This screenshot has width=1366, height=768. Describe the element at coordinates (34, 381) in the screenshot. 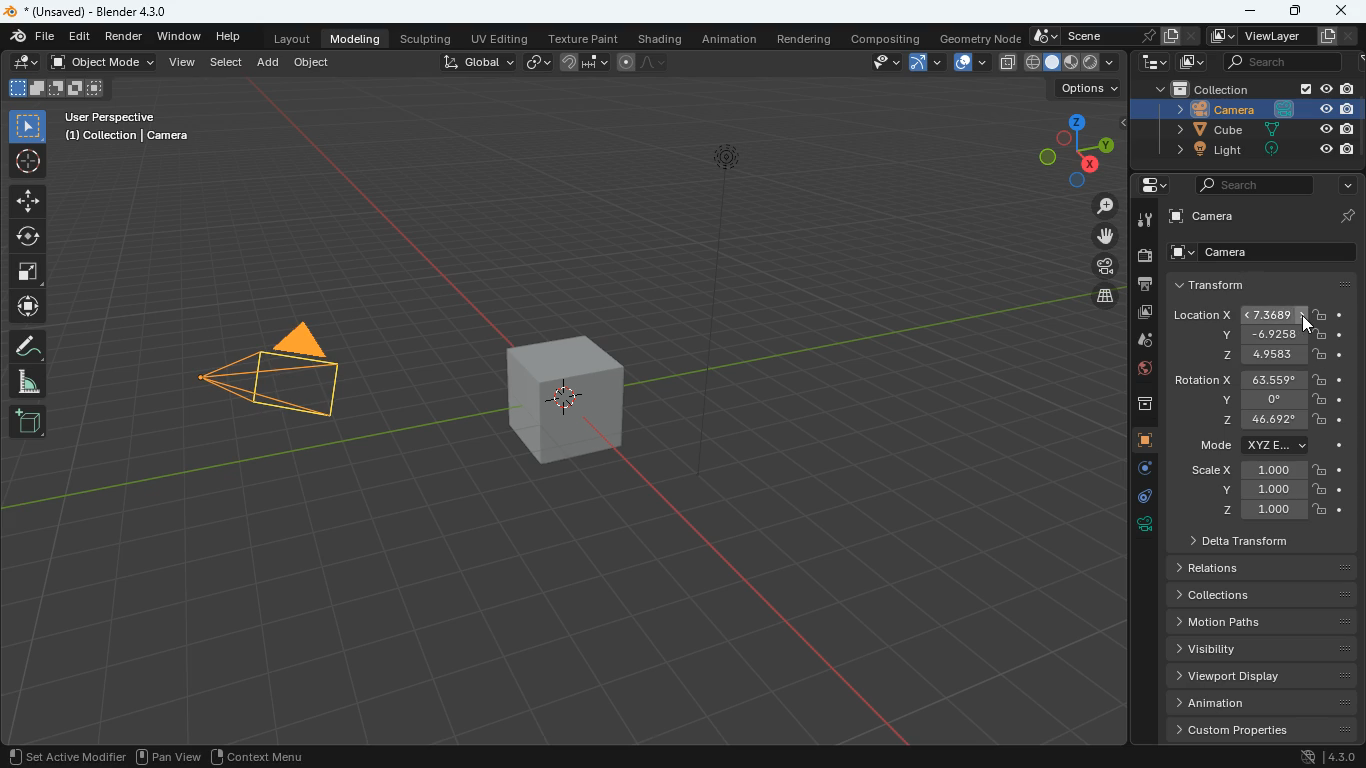

I see `angle` at that location.